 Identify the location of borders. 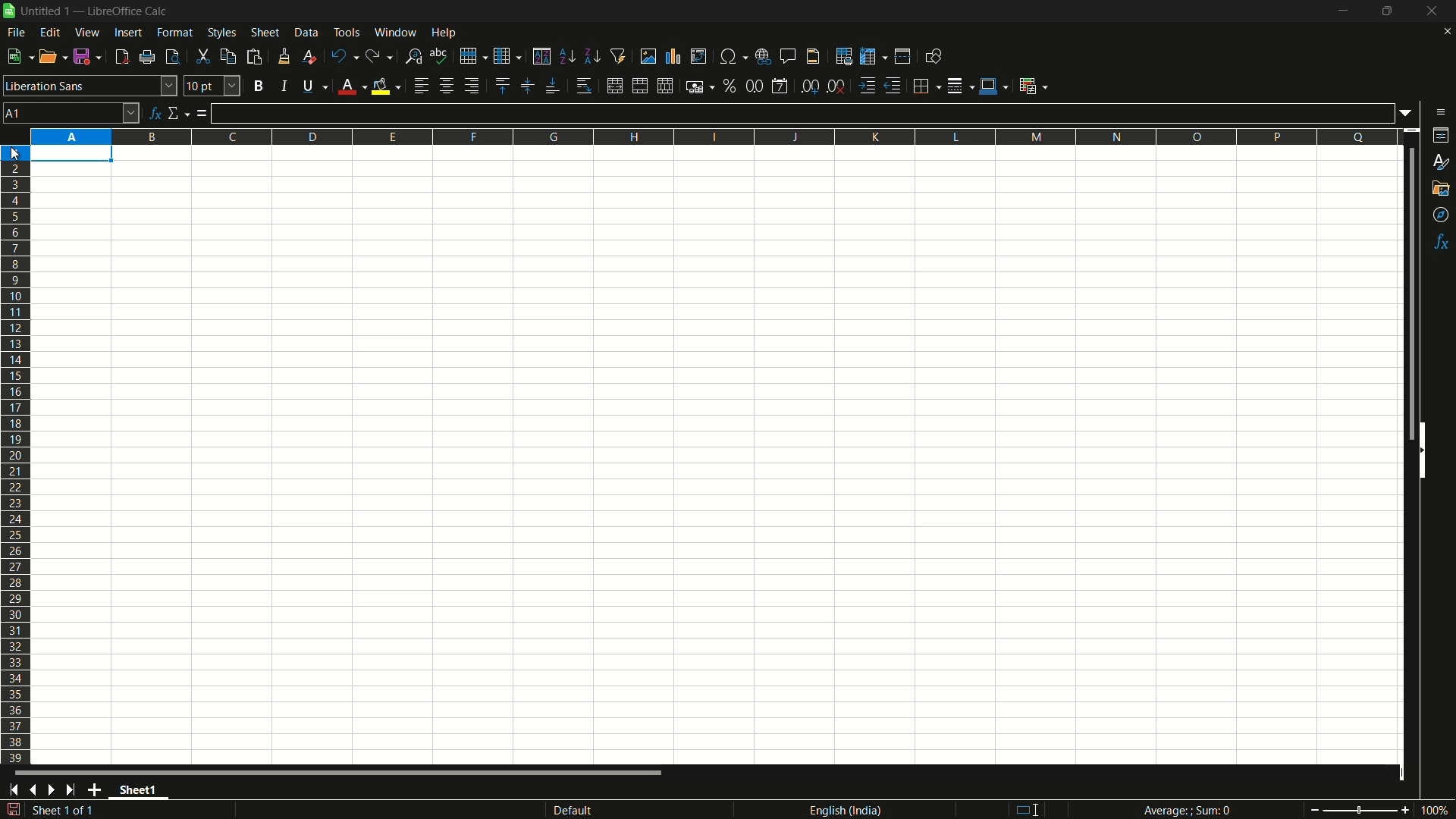
(927, 84).